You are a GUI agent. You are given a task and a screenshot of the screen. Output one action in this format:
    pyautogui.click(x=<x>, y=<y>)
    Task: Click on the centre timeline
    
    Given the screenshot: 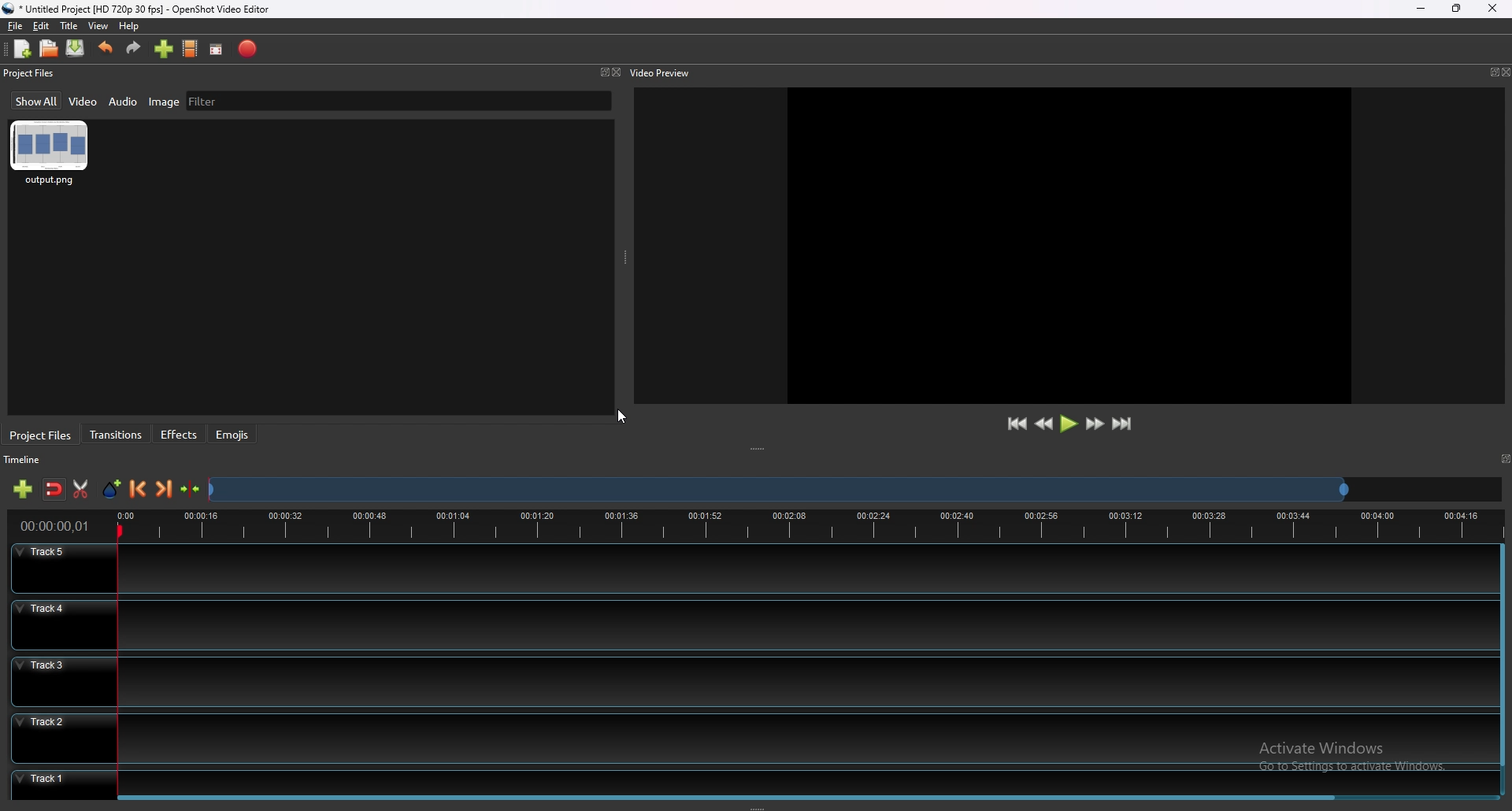 What is the action you would take?
    pyautogui.click(x=191, y=489)
    